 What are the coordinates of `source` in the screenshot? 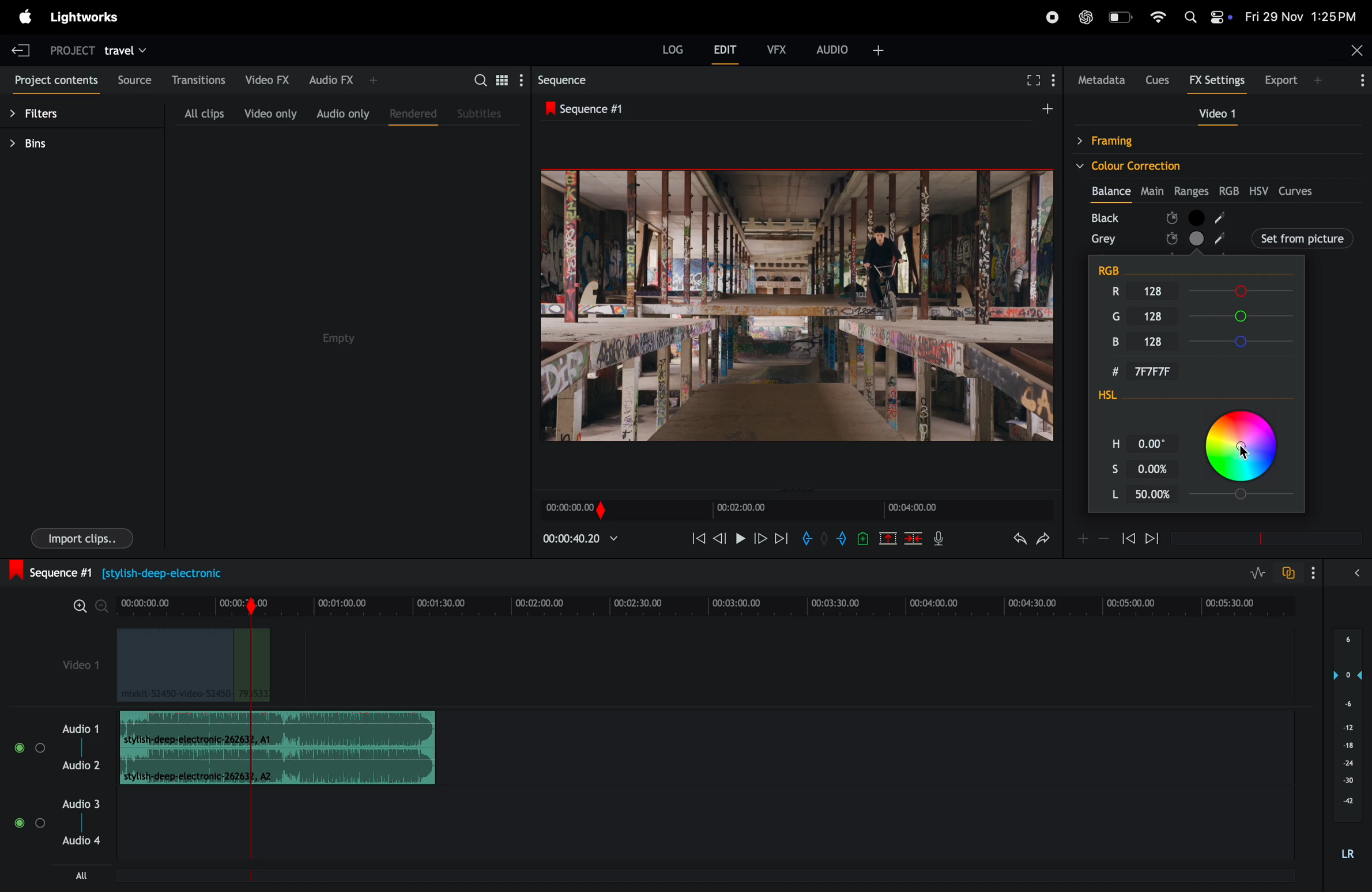 It's located at (135, 80).